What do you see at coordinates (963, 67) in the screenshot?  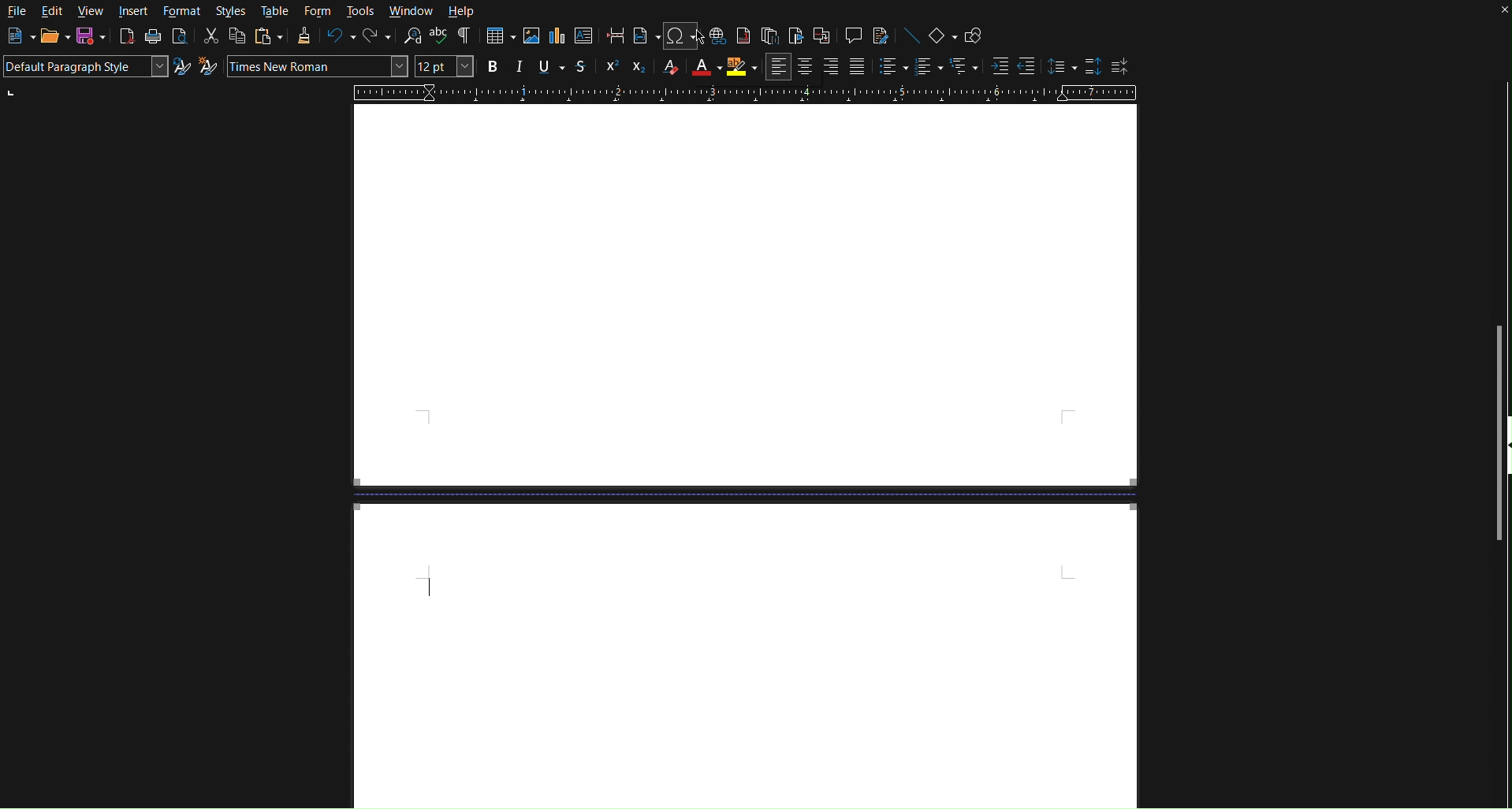 I see `Select outline format` at bounding box center [963, 67].